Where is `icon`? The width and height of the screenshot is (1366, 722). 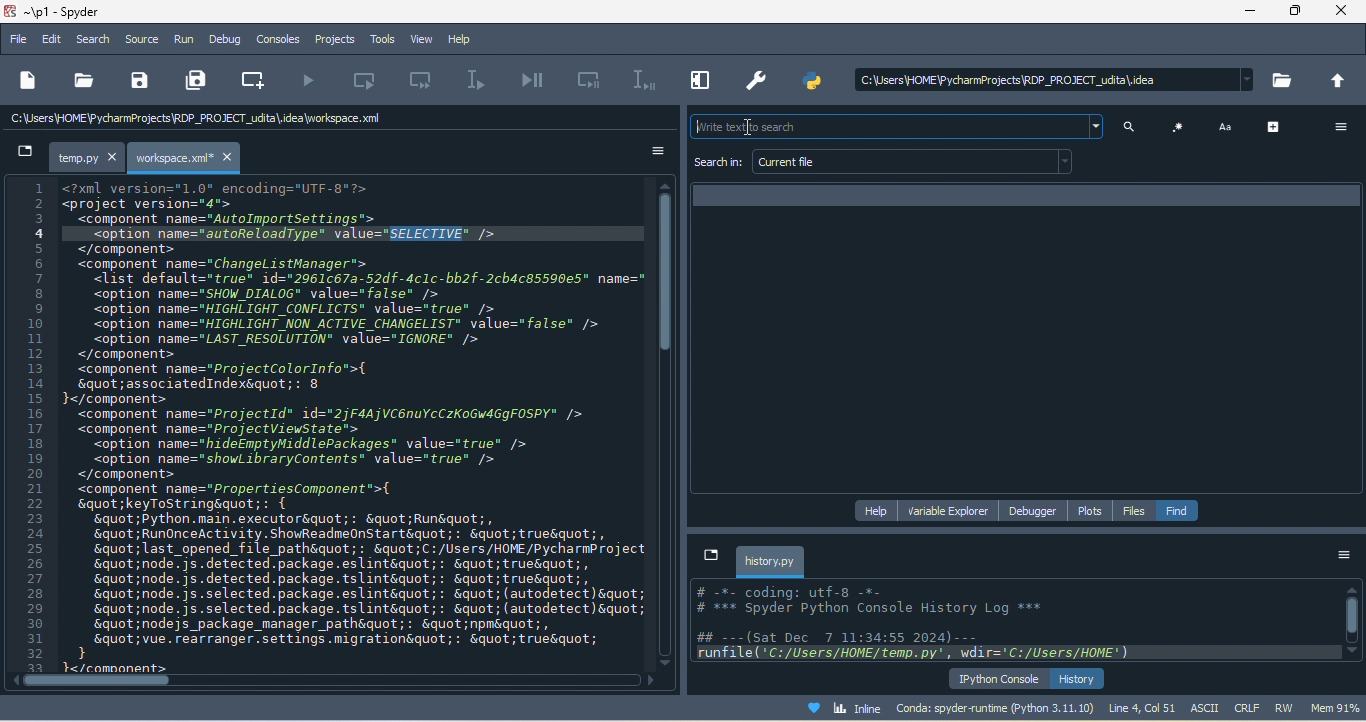 icon is located at coordinates (1179, 127).